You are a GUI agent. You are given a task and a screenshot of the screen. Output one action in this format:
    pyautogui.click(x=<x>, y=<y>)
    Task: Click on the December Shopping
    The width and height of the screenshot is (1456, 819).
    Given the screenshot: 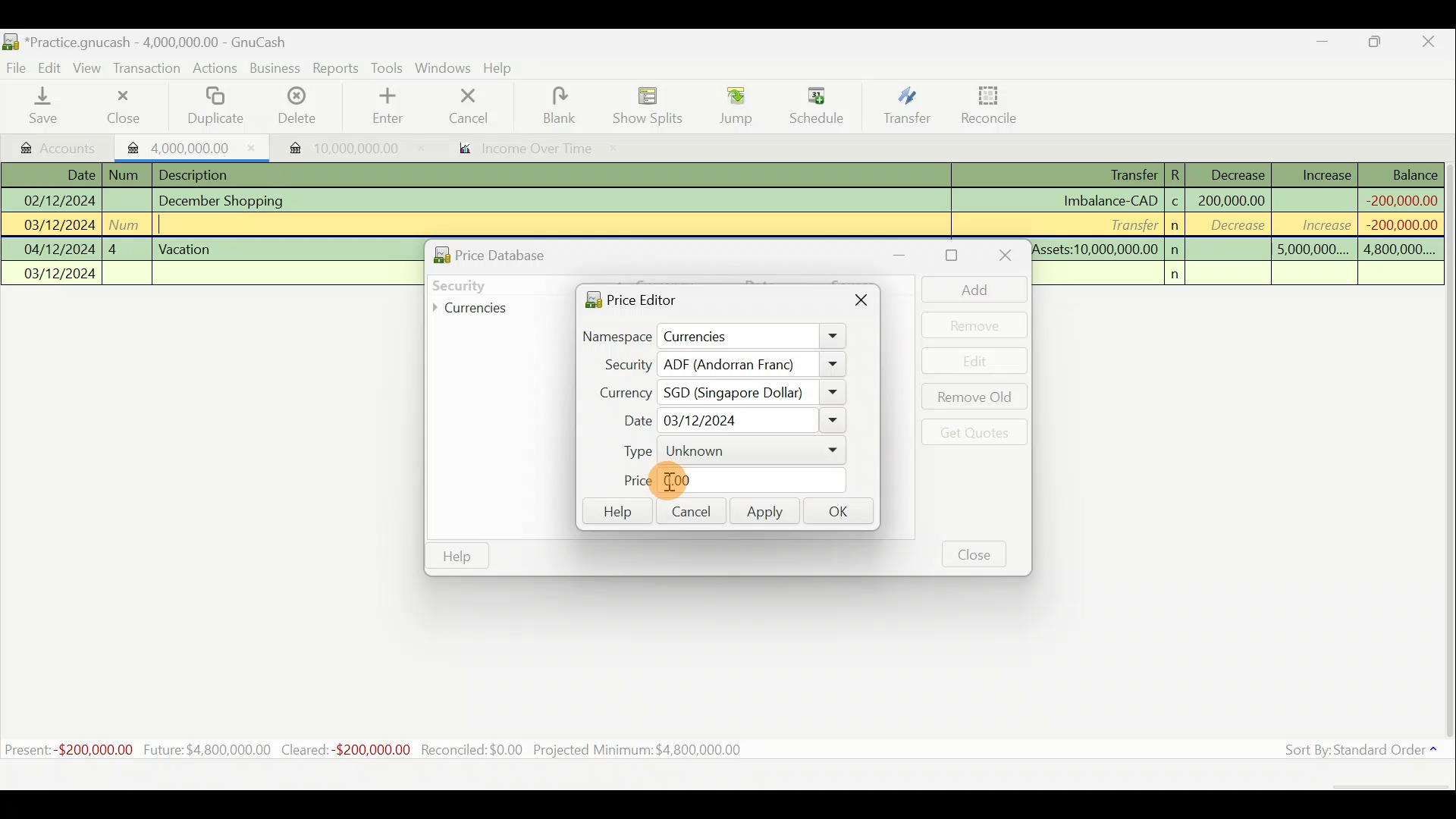 What is the action you would take?
    pyautogui.click(x=228, y=201)
    